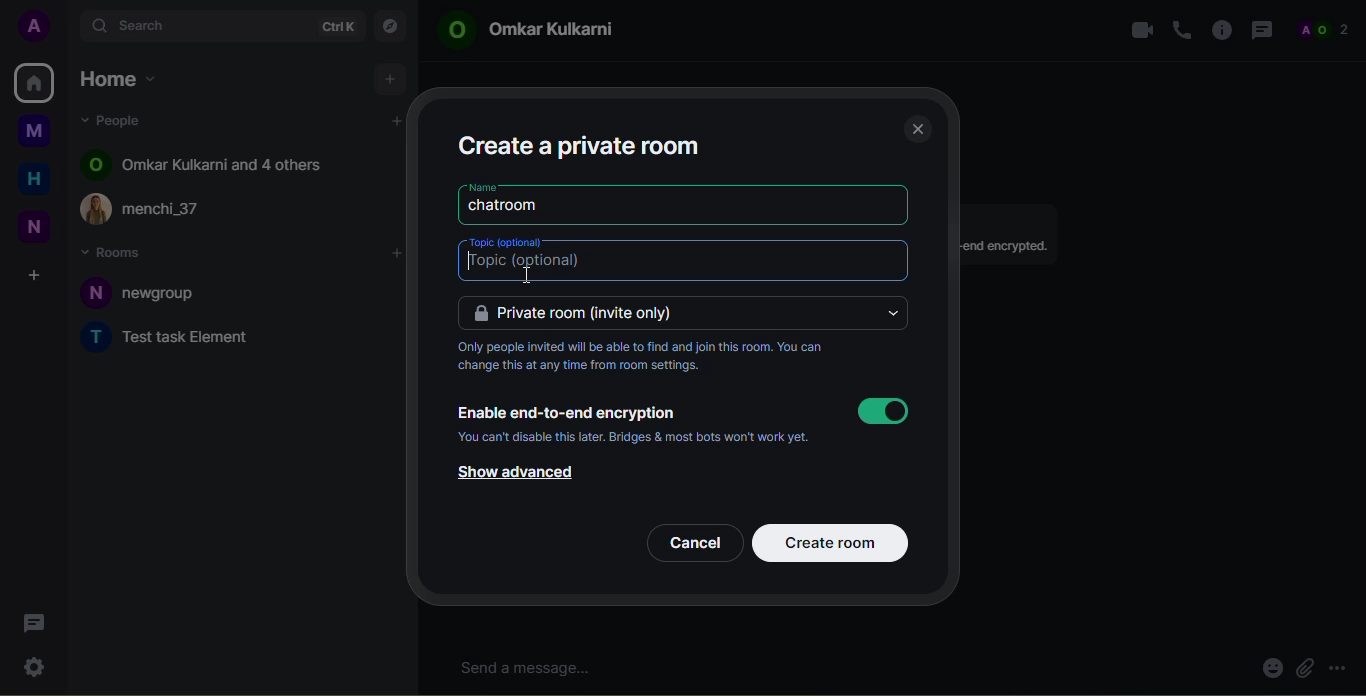  What do you see at coordinates (390, 78) in the screenshot?
I see `add` at bounding box center [390, 78].